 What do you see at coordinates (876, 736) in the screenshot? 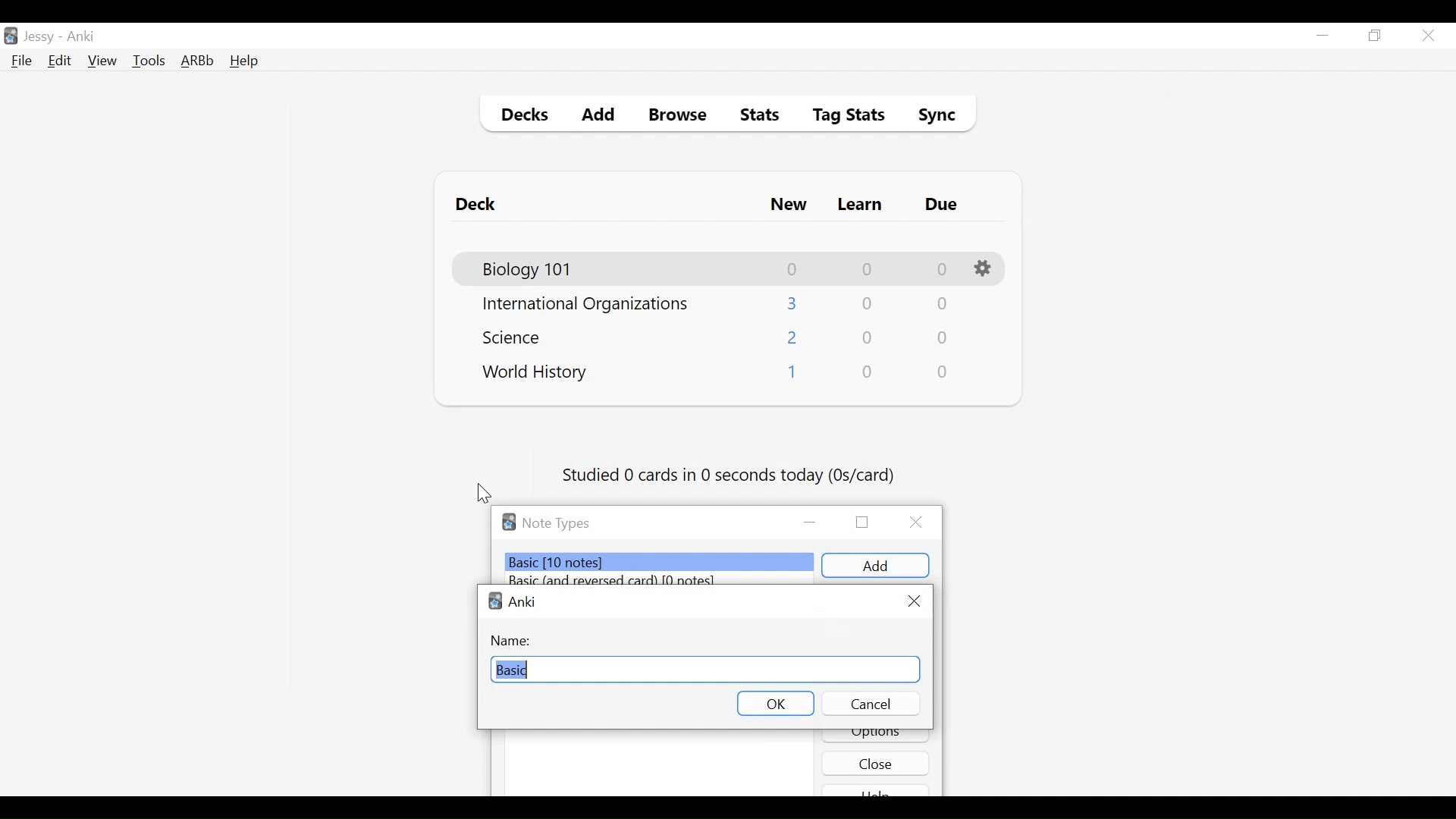
I see `Options` at bounding box center [876, 736].